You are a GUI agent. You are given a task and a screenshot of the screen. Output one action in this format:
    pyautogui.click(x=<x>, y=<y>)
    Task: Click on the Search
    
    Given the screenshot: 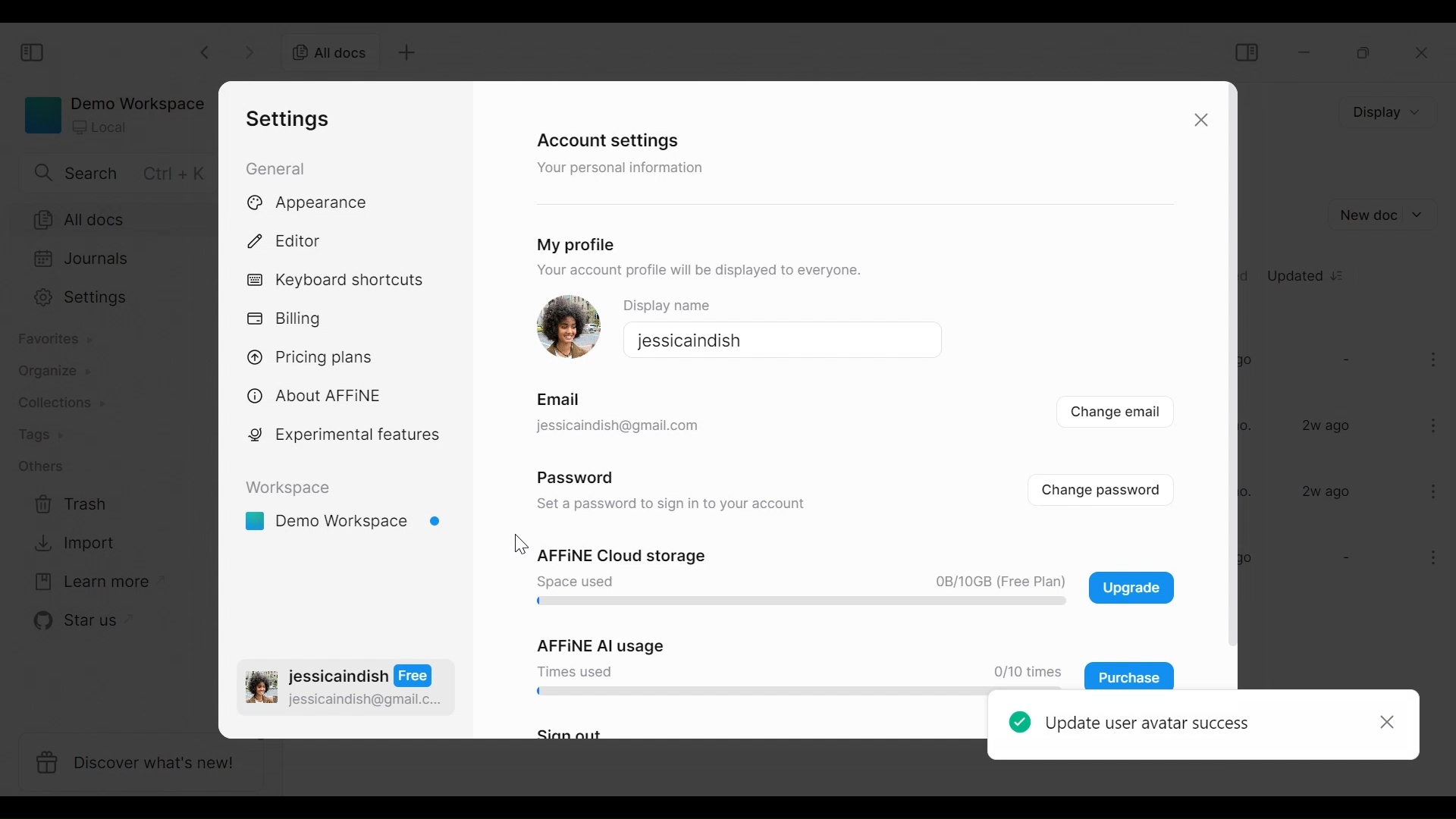 What is the action you would take?
    pyautogui.click(x=111, y=173)
    